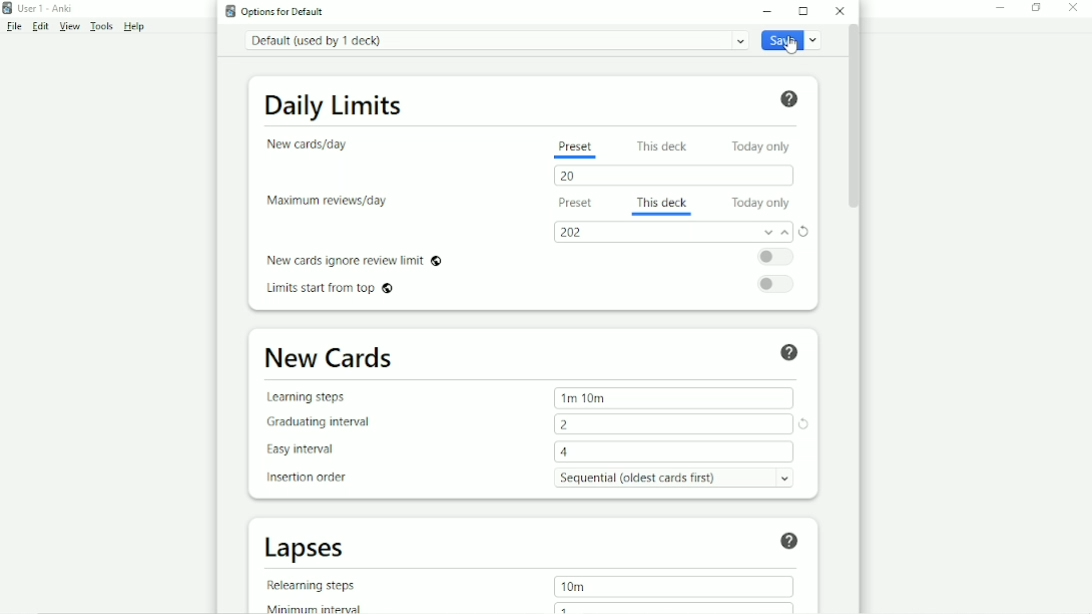  What do you see at coordinates (804, 11) in the screenshot?
I see `Maximize` at bounding box center [804, 11].